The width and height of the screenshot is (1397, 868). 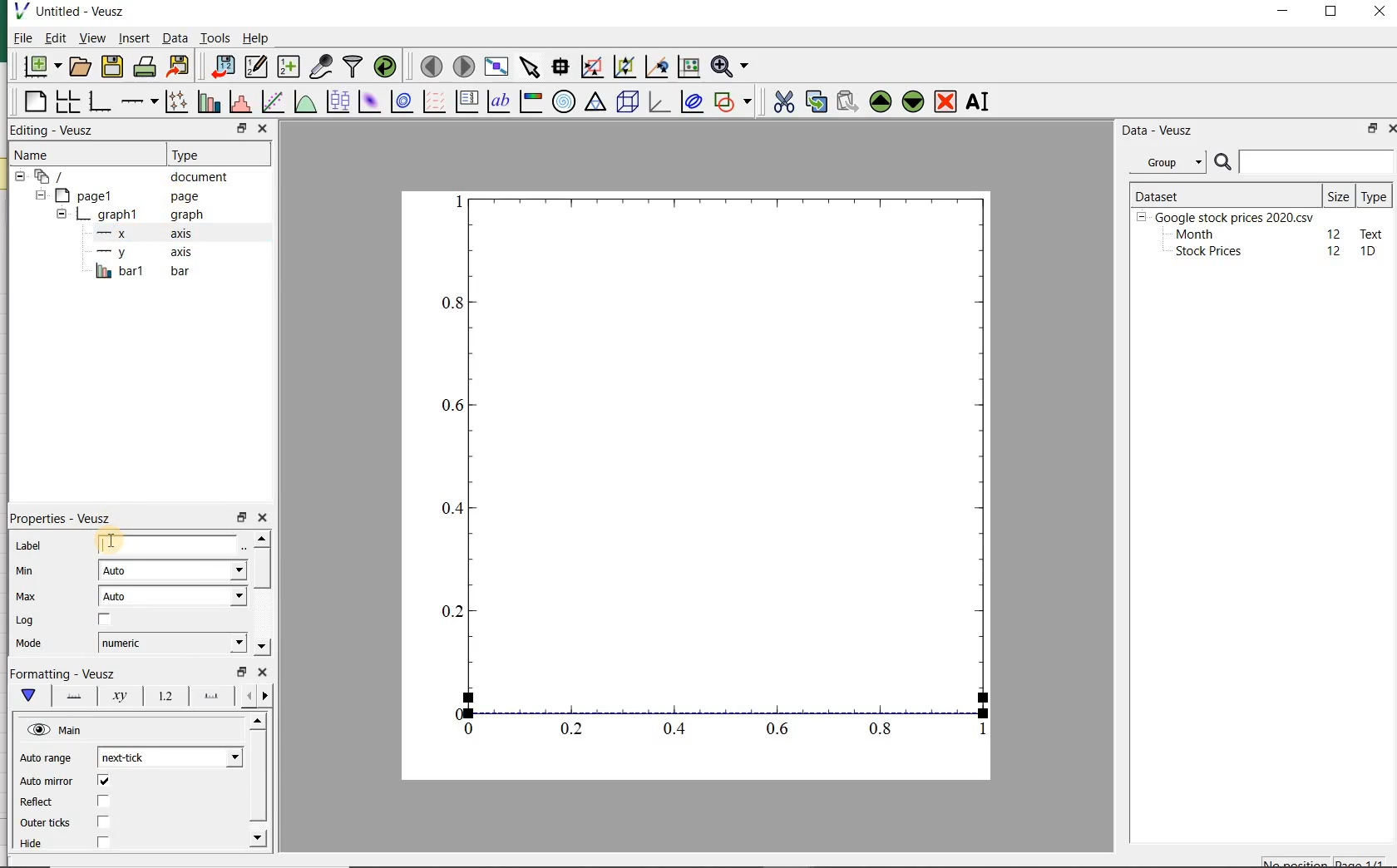 I want to click on scrollbar, so click(x=261, y=594).